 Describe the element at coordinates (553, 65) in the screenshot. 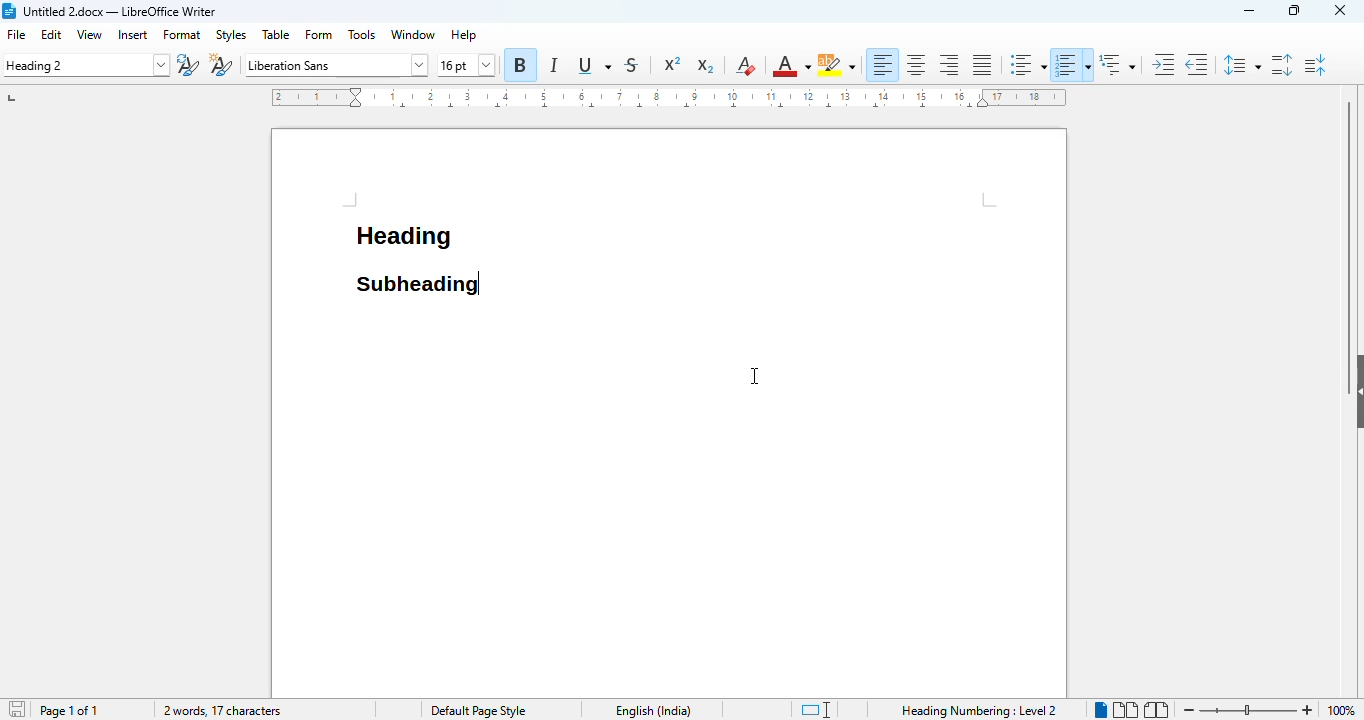

I see `italic` at that location.